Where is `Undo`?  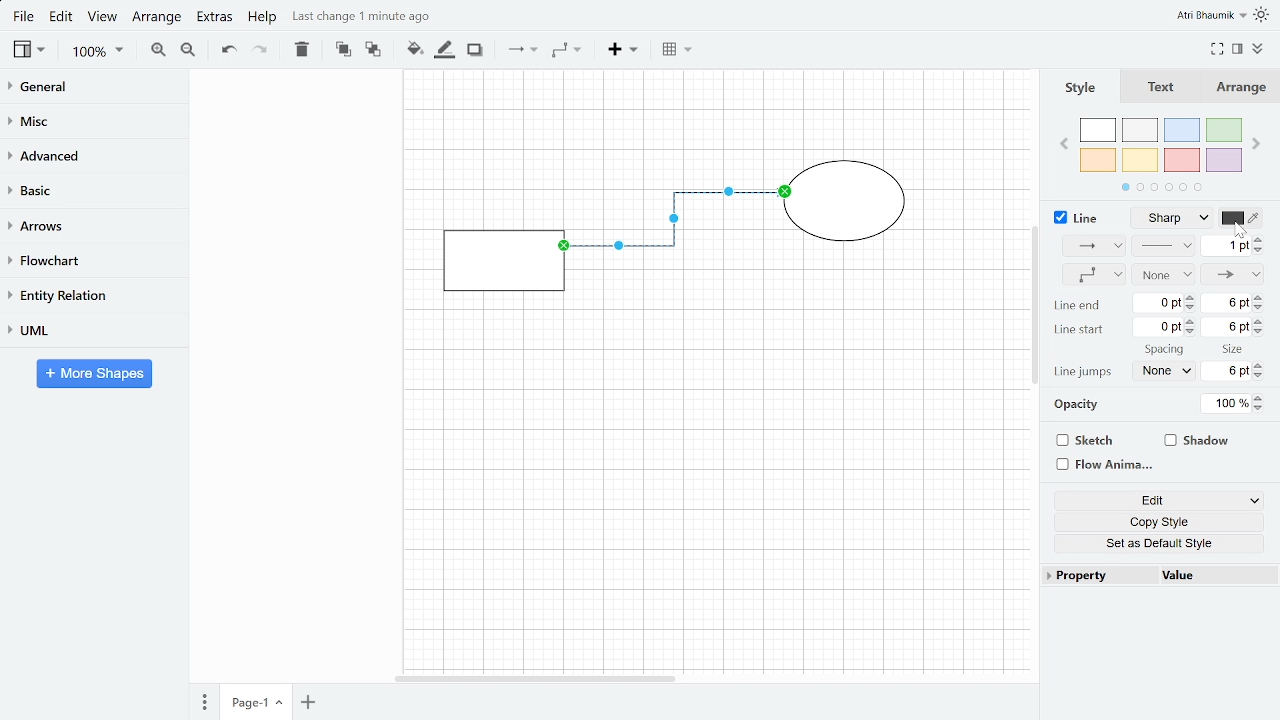
Undo is located at coordinates (227, 50).